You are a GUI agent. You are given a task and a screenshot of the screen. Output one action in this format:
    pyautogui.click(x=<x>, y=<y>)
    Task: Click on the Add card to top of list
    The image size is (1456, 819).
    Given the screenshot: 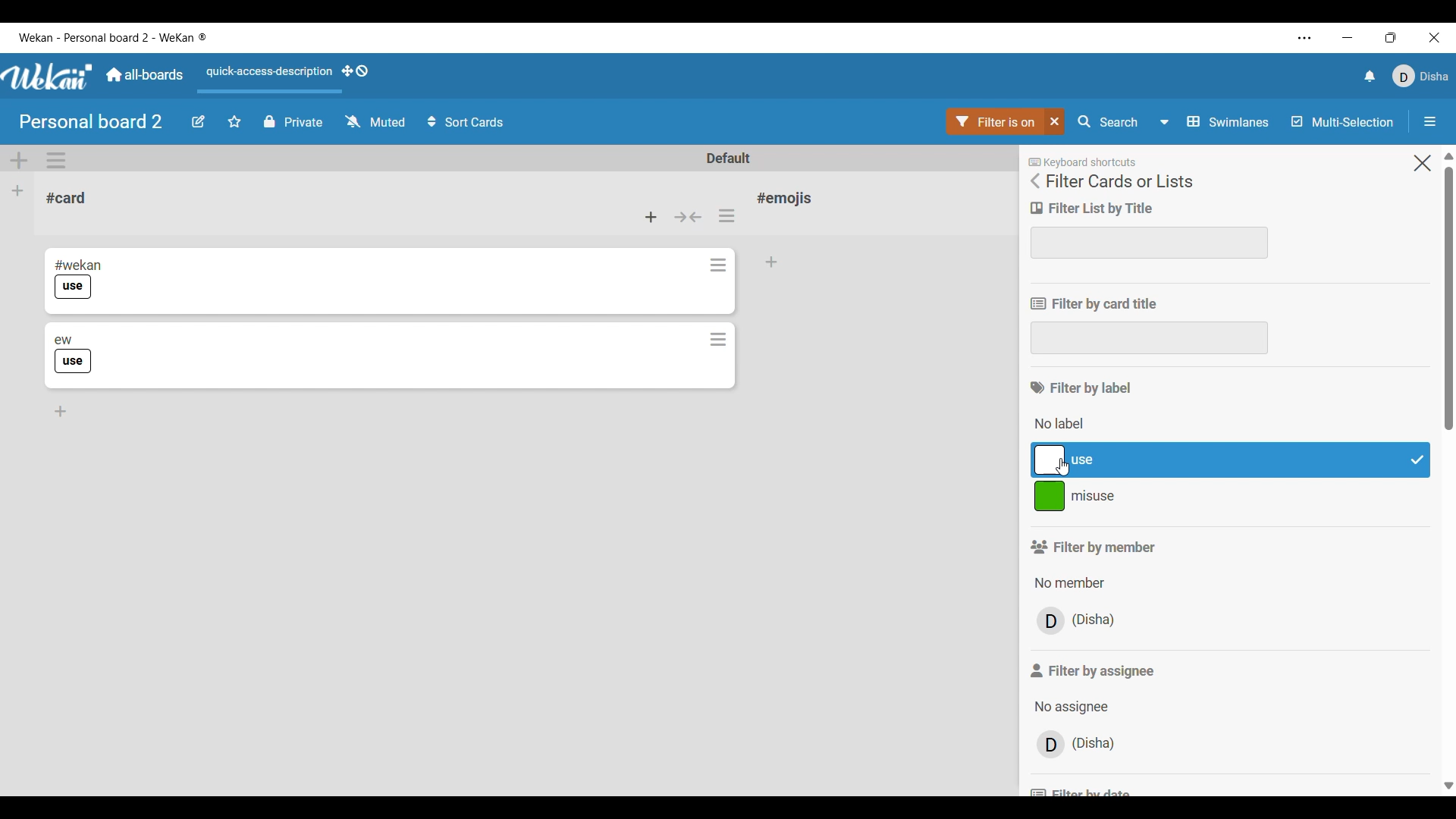 What is the action you would take?
    pyautogui.click(x=651, y=217)
    